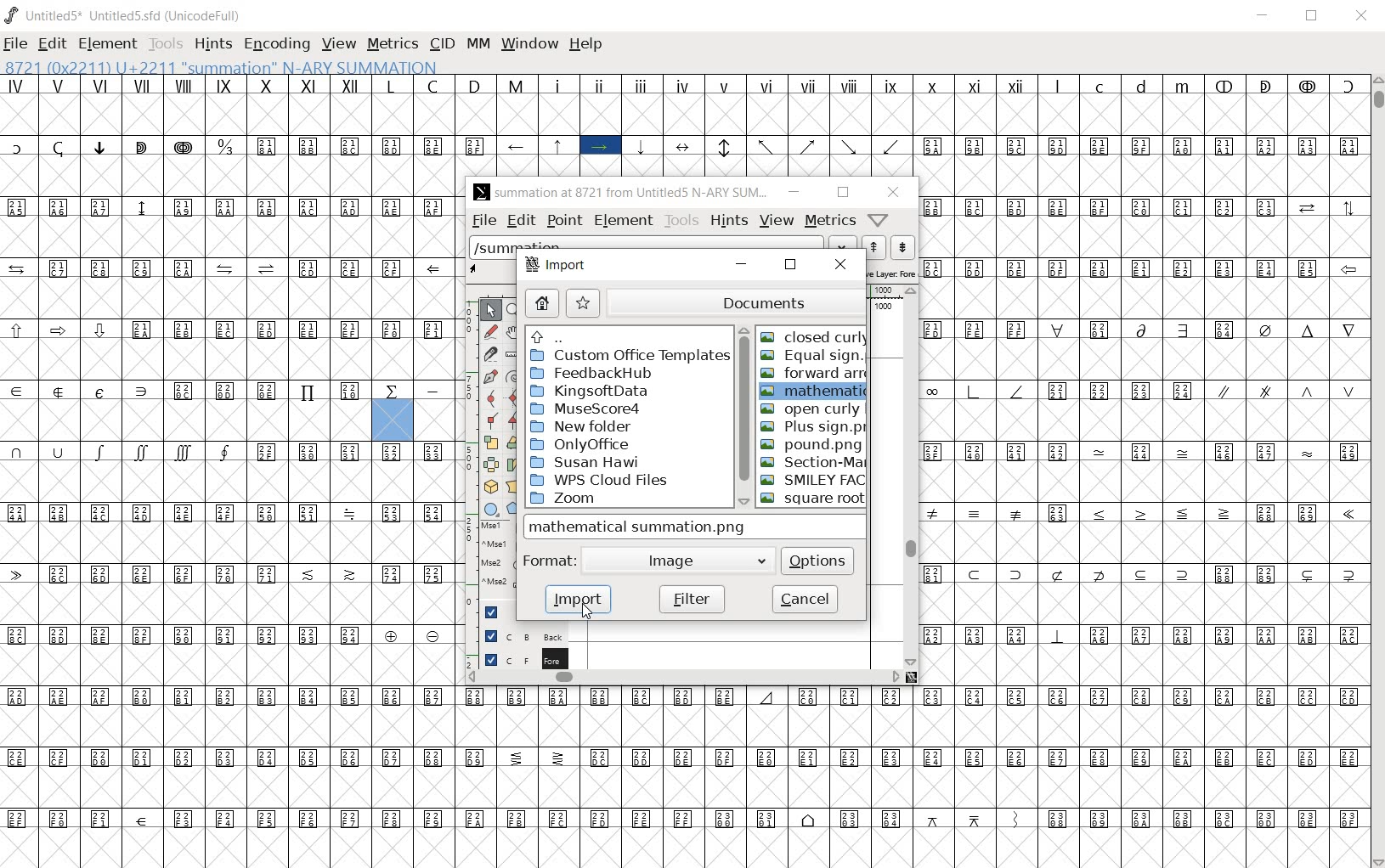 The width and height of the screenshot is (1385, 868). I want to click on PLUS SIGN.PNG, so click(812, 428).